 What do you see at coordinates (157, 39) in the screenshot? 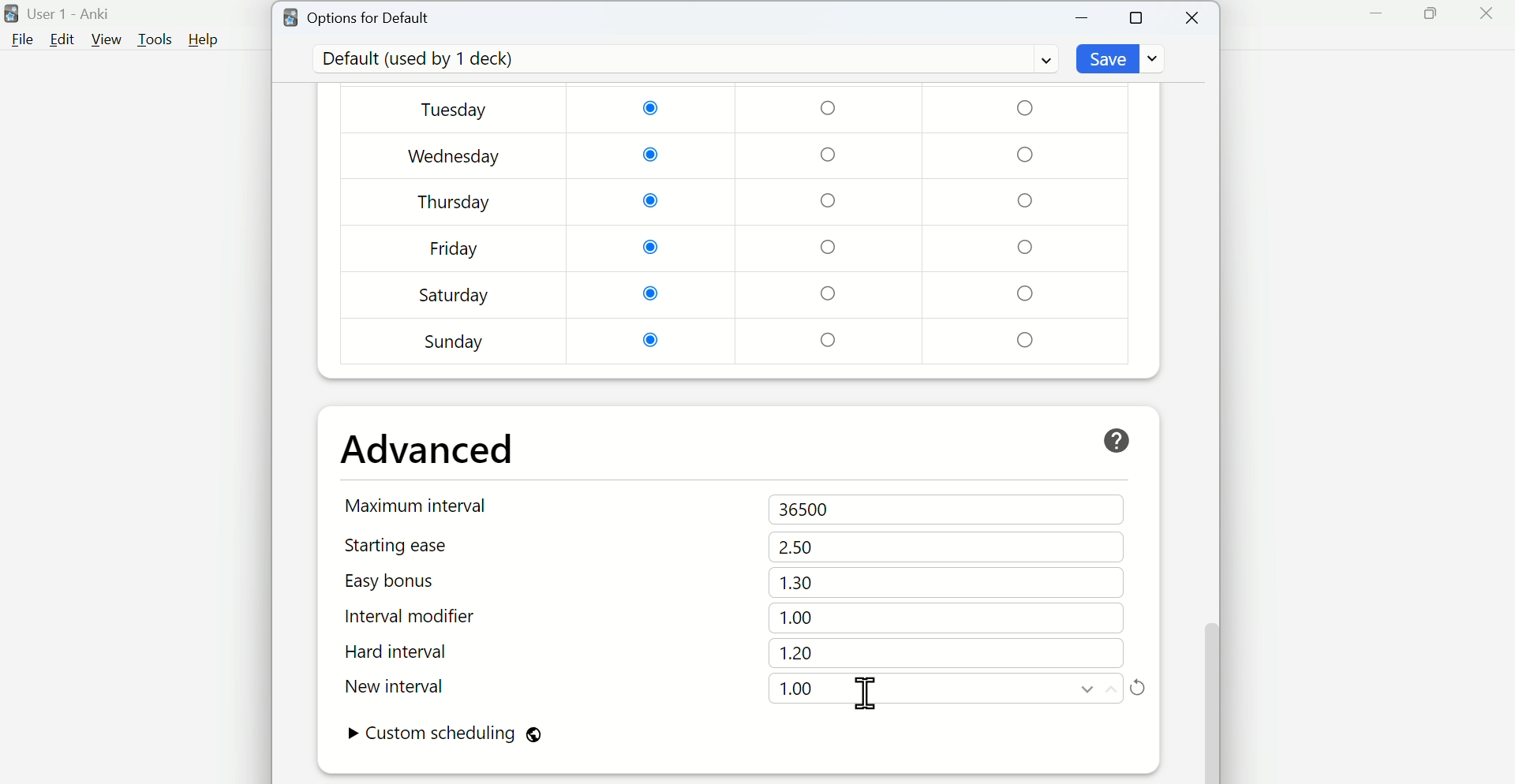
I see `Tools` at bounding box center [157, 39].